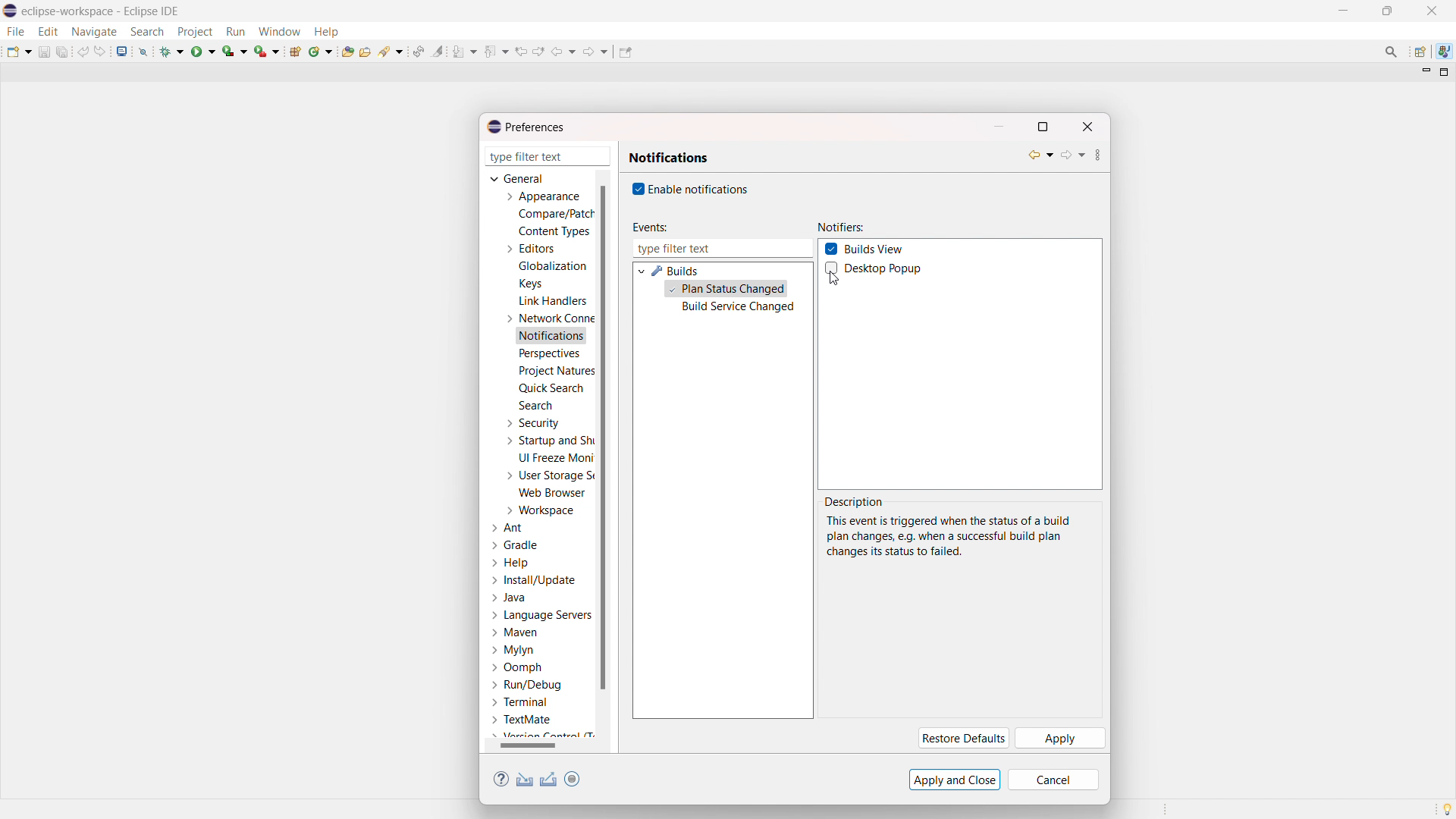 This screenshot has width=1456, height=819. Describe the element at coordinates (513, 651) in the screenshot. I see `mylyn` at that location.